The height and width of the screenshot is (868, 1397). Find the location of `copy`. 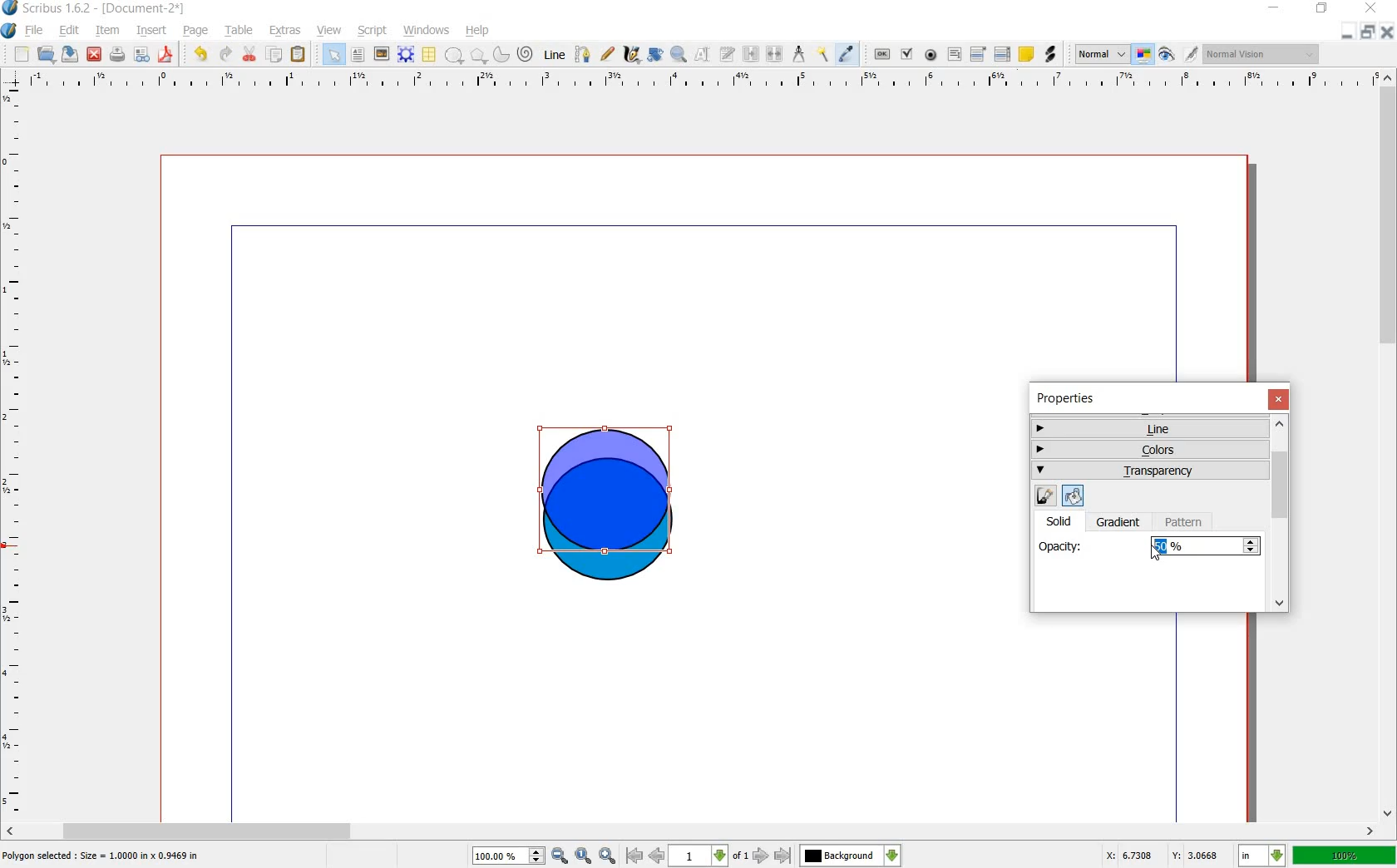

copy is located at coordinates (276, 55).